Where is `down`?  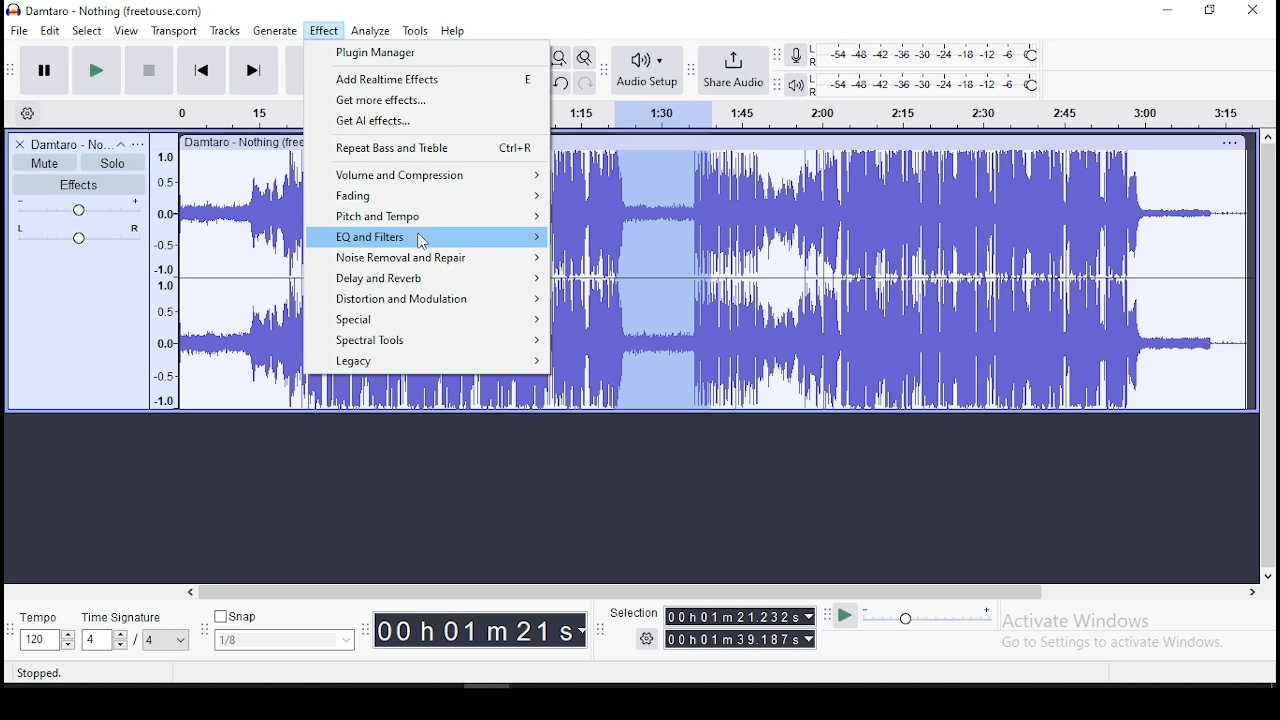
down is located at coordinates (1267, 573).